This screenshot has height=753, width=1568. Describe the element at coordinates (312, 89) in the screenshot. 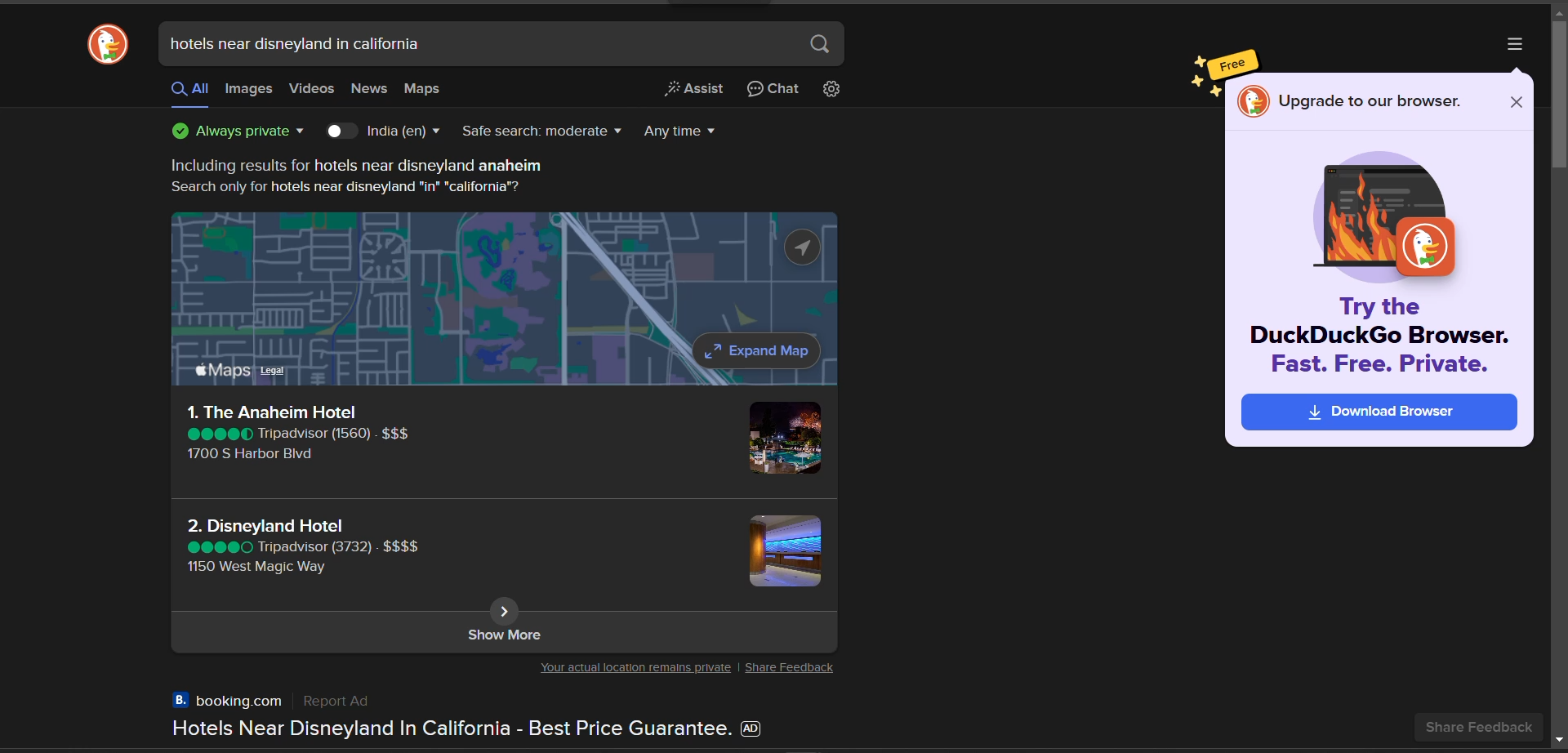

I see `videos` at that location.